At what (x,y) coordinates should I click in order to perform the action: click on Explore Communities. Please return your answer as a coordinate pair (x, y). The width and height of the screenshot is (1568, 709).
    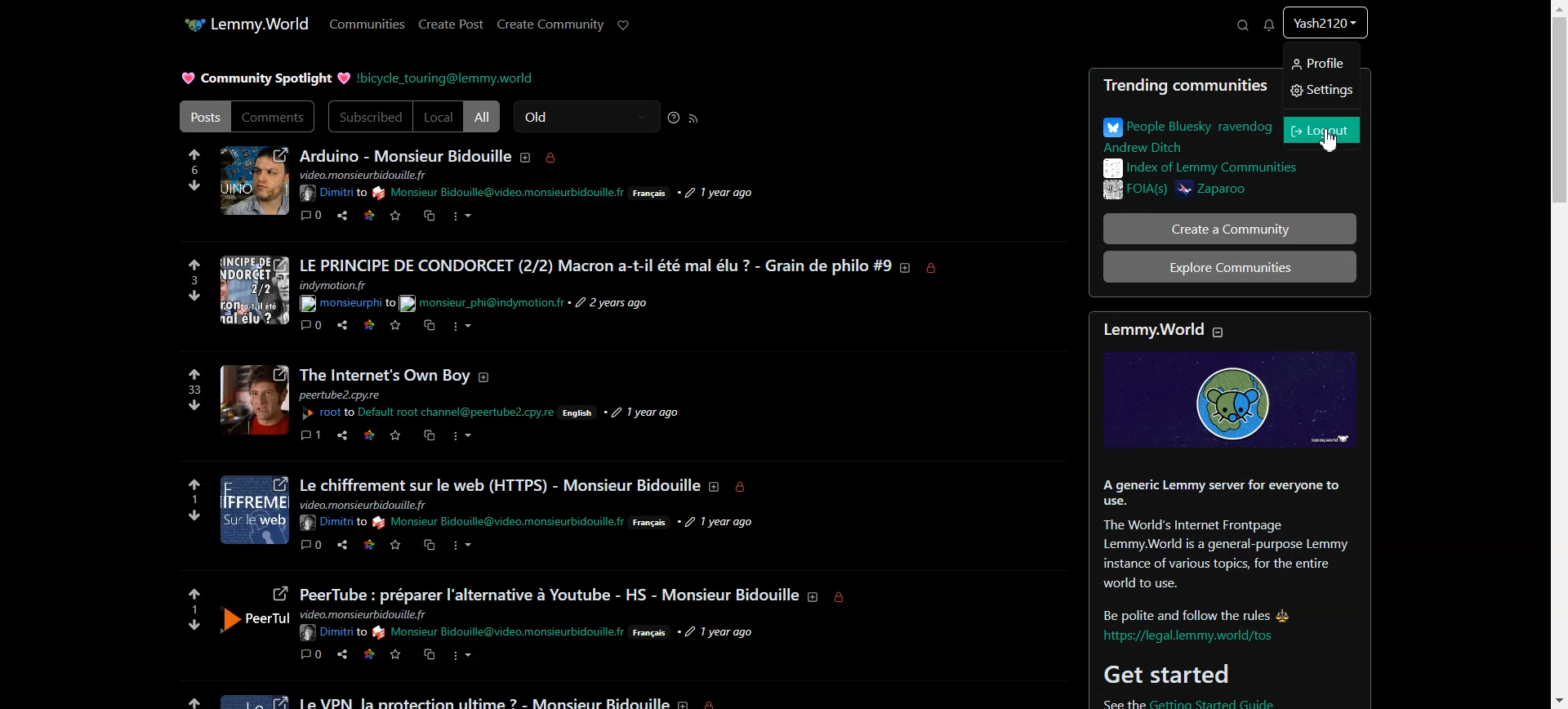
    Looking at the image, I should click on (1229, 267).